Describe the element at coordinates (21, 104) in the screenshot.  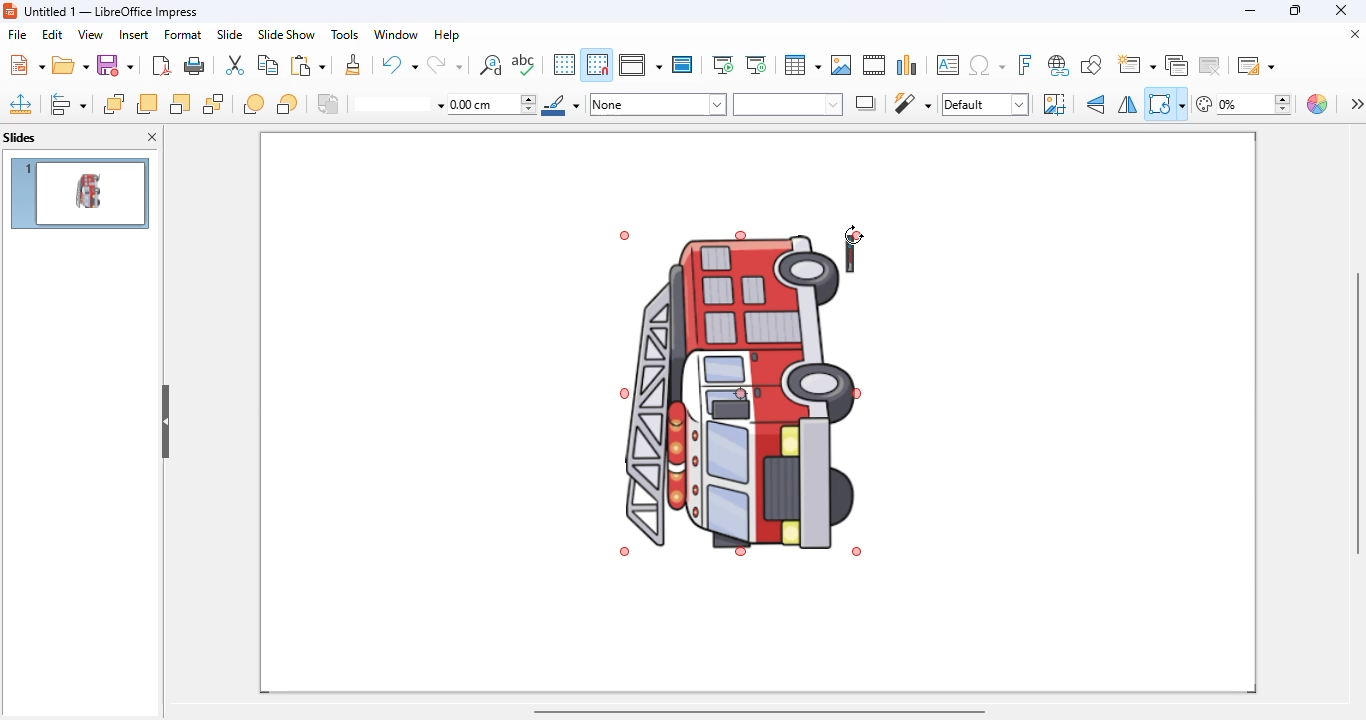
I see `position and size` at that location.